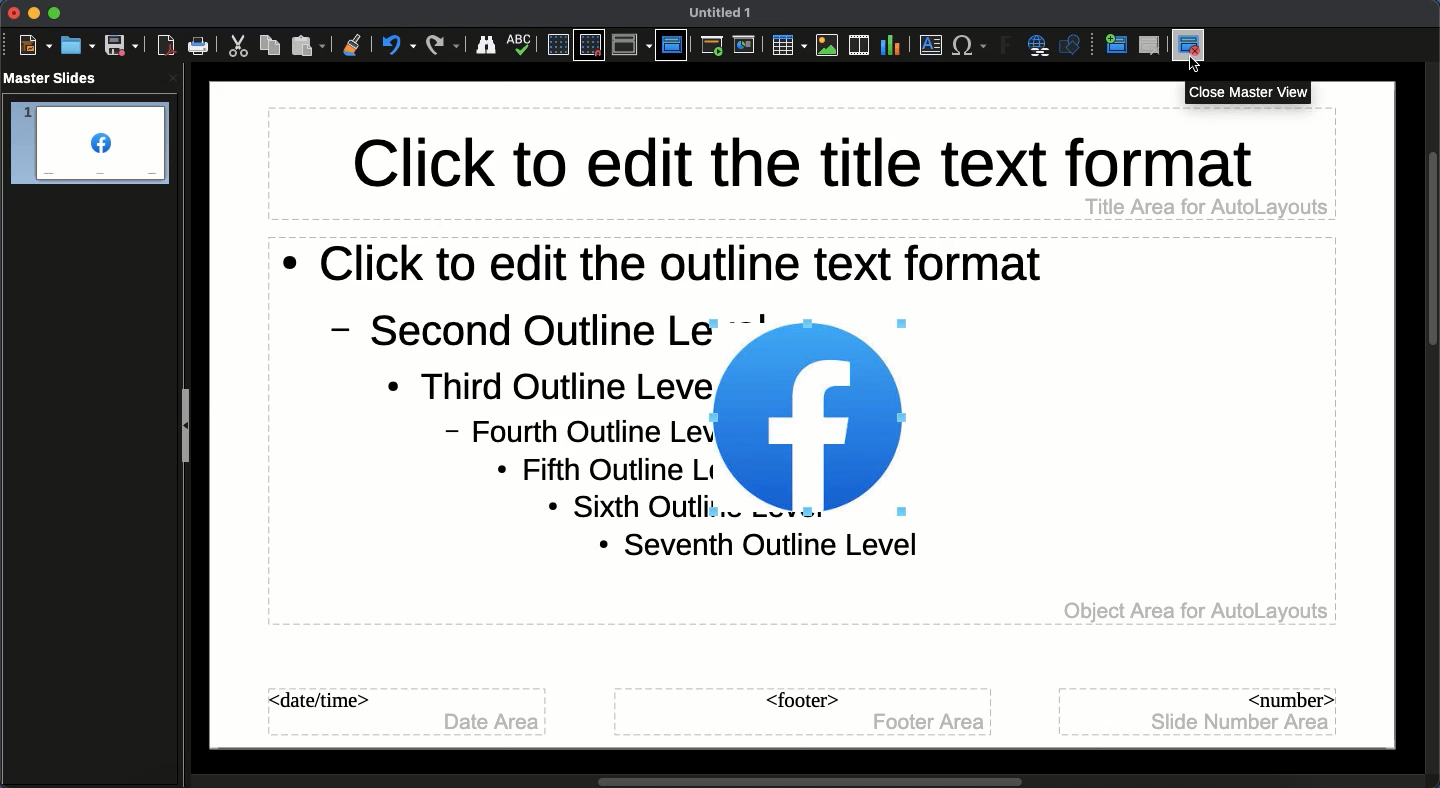 This screenshot has width=1440, height=788. I want to click on Slide 1, so click(92, 143).